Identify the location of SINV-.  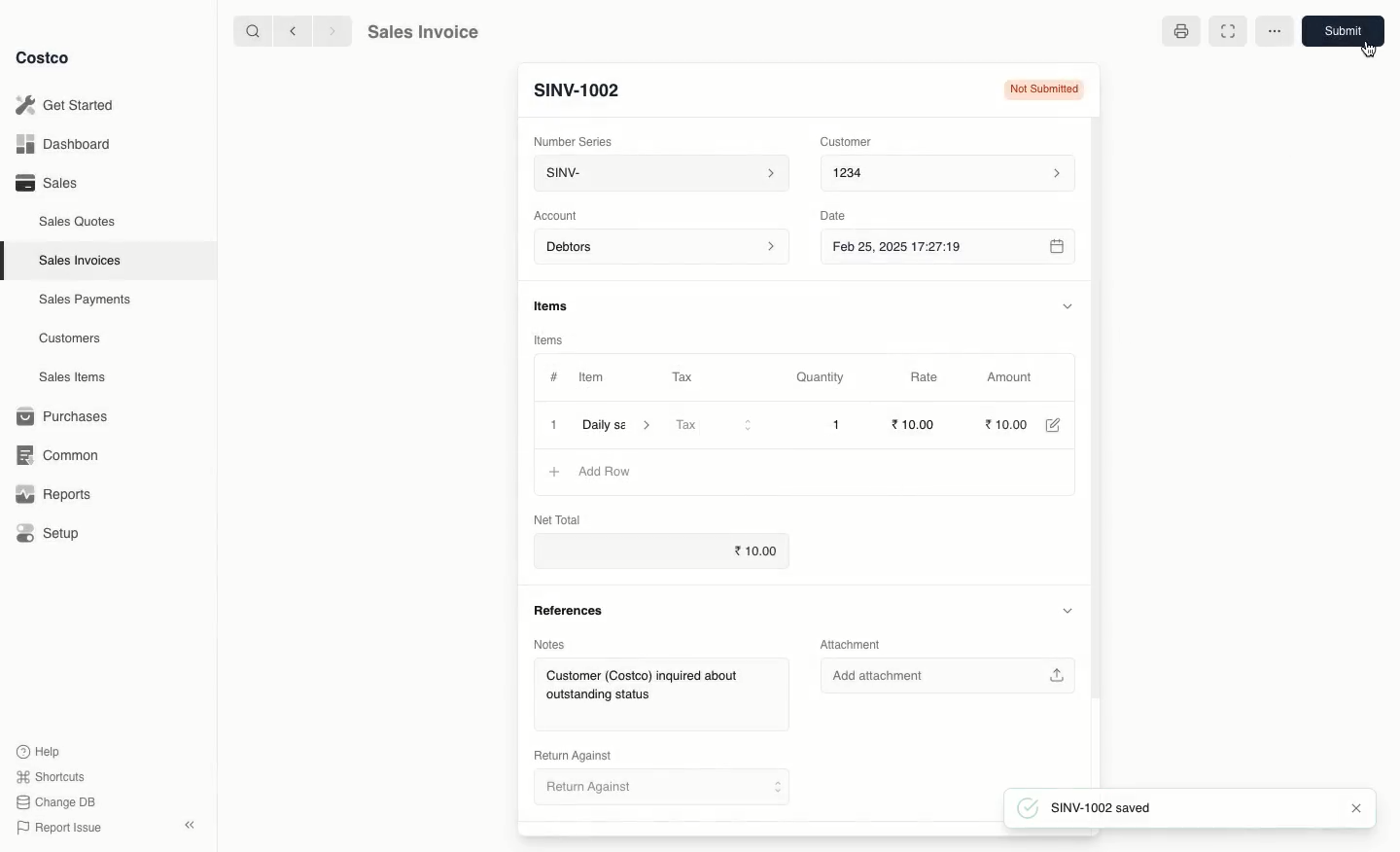
(663, 174).